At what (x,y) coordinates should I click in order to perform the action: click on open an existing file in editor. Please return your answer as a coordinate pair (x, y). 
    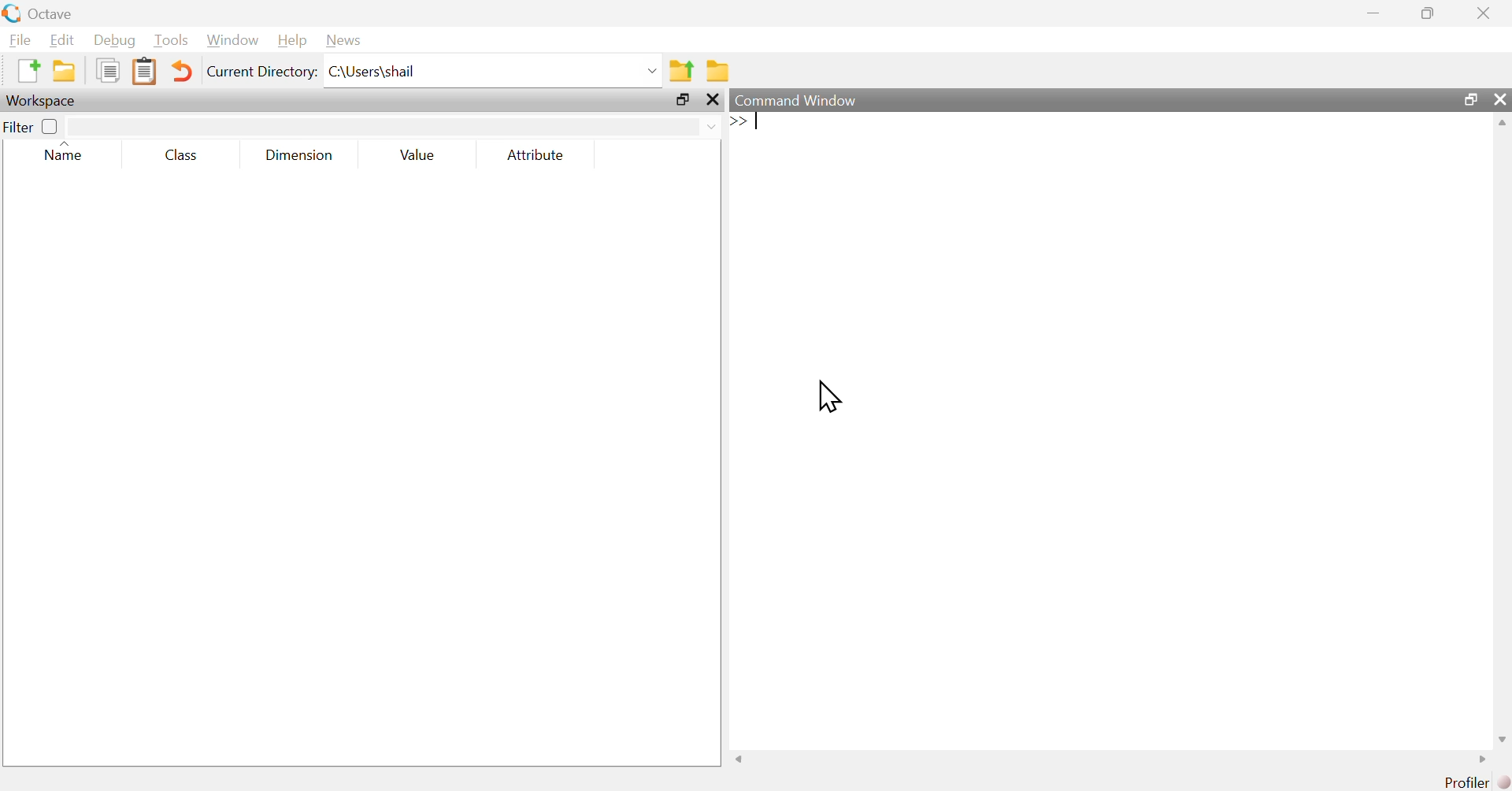
    Looking at the image, I should click on (64, 72).